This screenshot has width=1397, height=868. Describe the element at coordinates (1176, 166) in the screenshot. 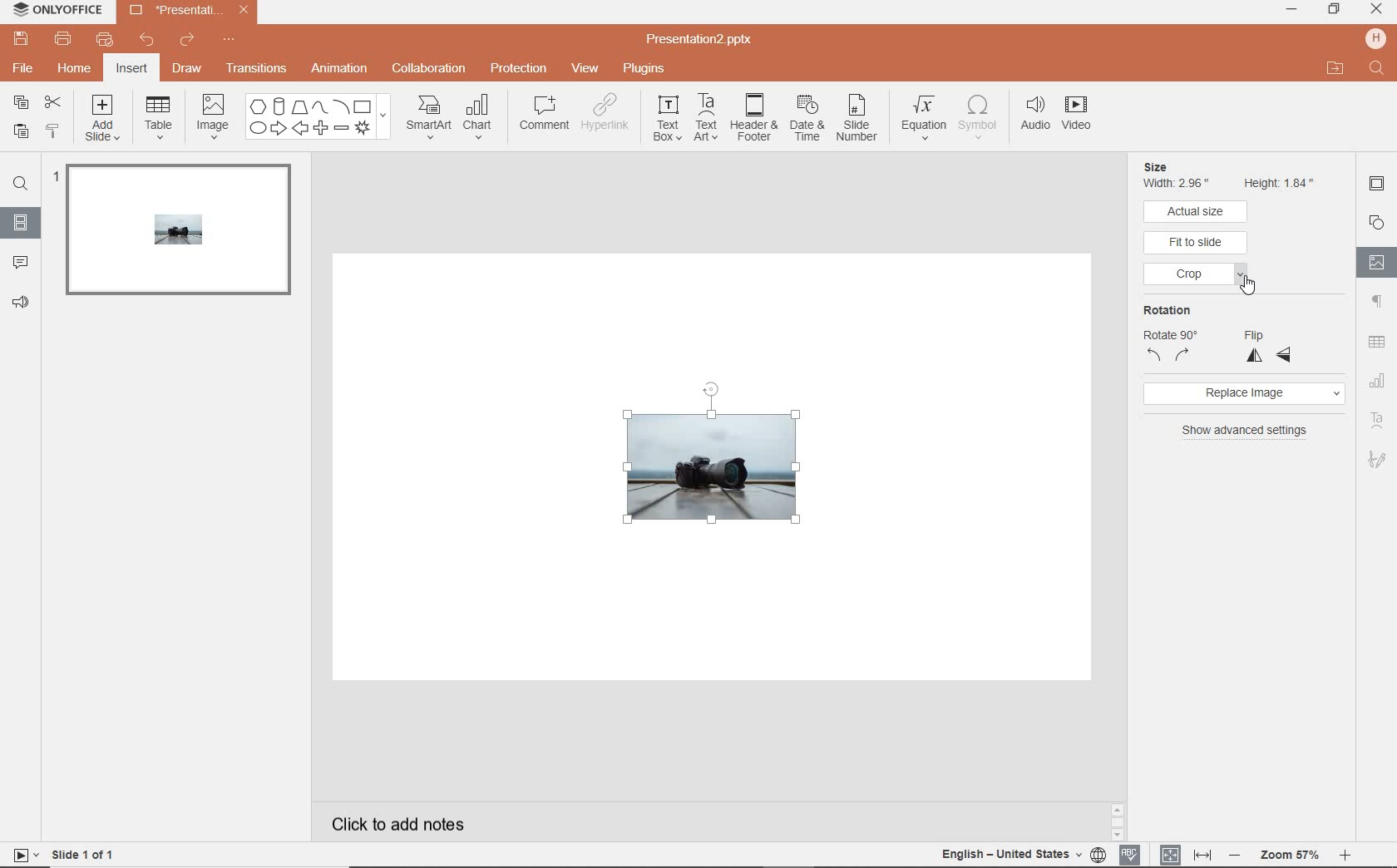

I see `Size` at that location.